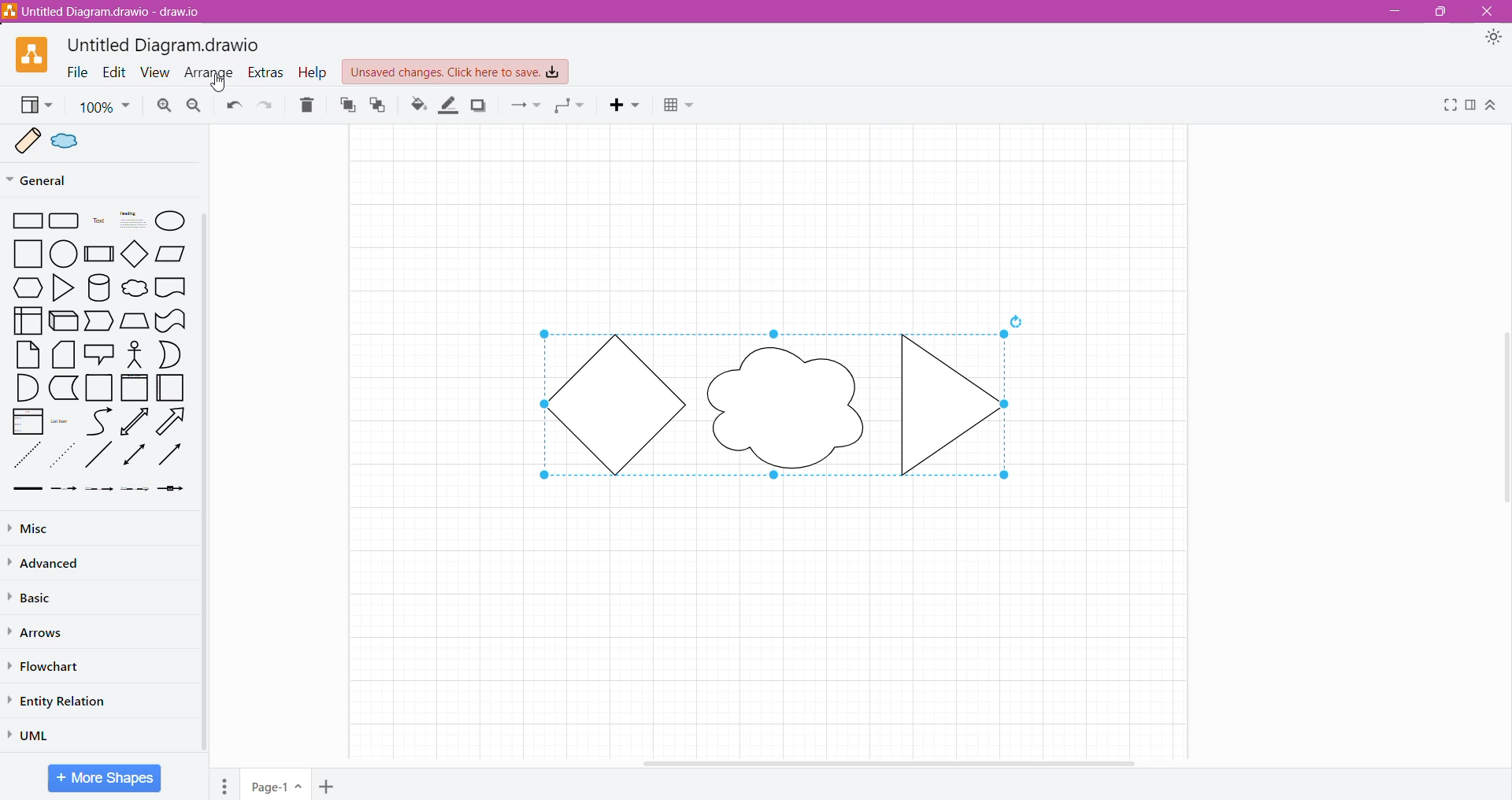 The height and width of the screenshot is (800, 1512). What do you see at coordinates (346, 106) in the screenshot?
I see `To Front` at bounding box center [346, 106].